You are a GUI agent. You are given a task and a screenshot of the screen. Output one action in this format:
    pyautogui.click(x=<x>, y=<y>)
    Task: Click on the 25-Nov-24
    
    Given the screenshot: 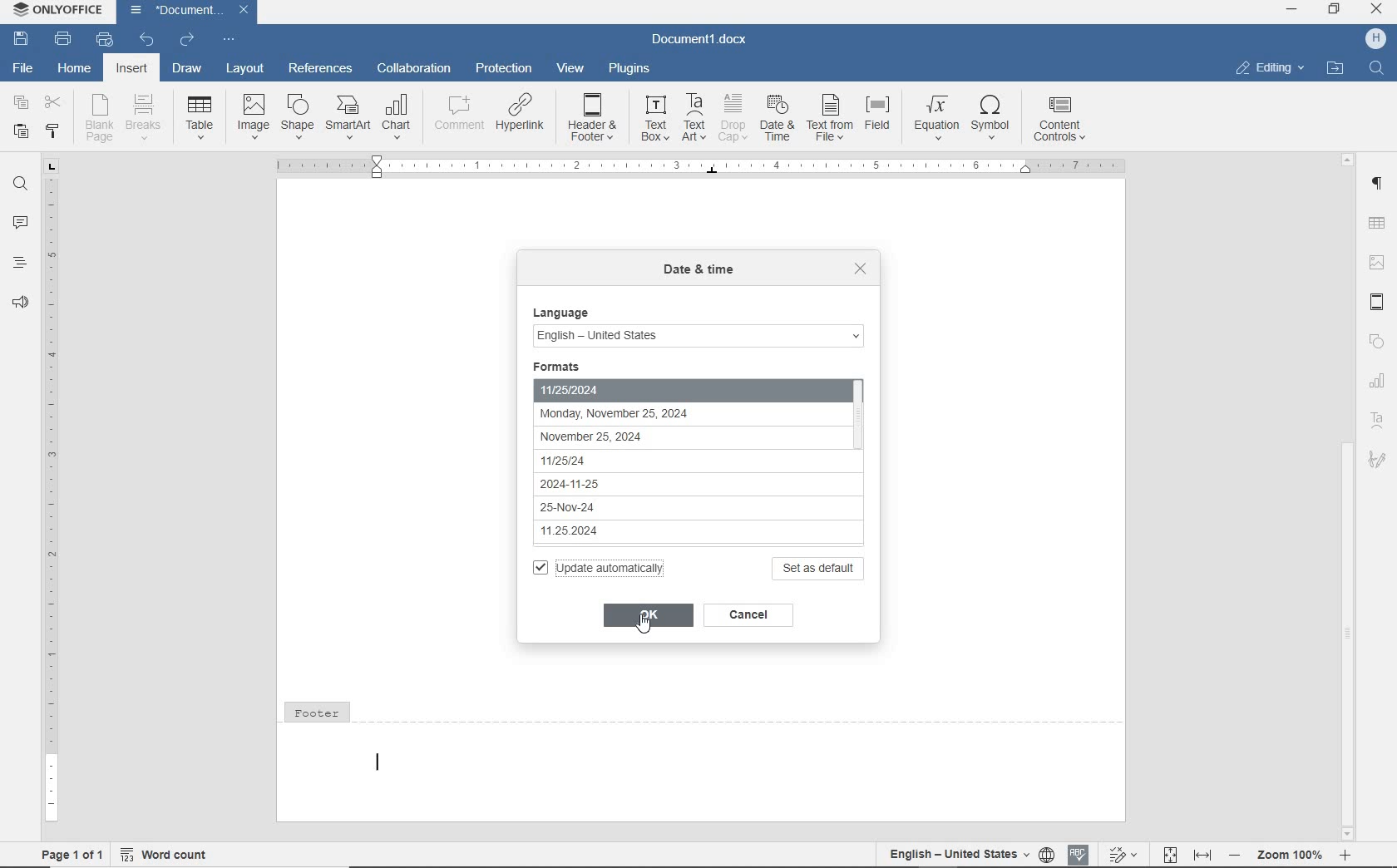 What is the action you would take?
    pyautogui.click(x=634, y=508)
    